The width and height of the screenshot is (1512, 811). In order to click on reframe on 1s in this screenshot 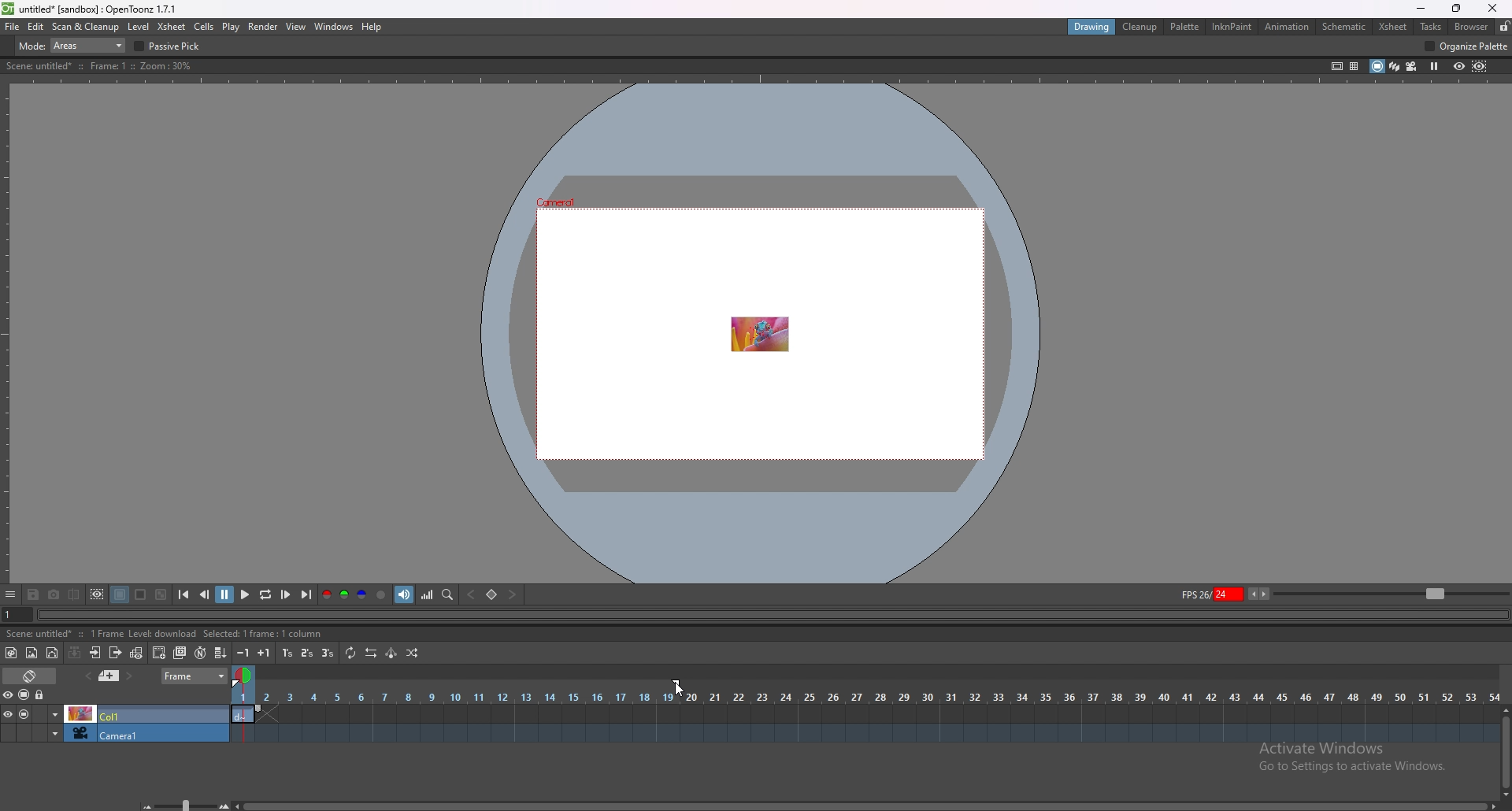, I will do `click(287, 654)`.